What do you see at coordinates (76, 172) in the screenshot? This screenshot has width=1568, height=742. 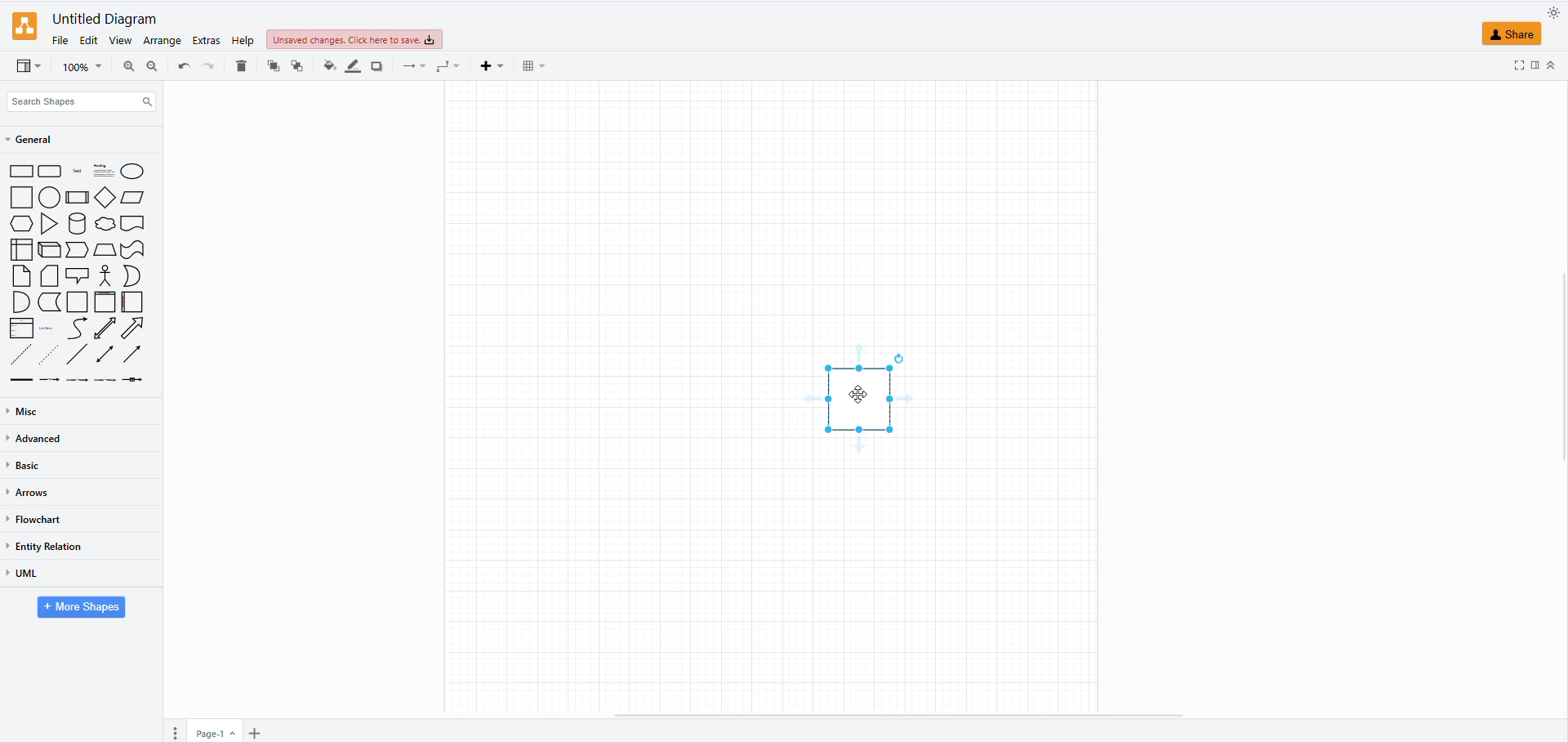 I see `text` at bounding box center [76, 172].